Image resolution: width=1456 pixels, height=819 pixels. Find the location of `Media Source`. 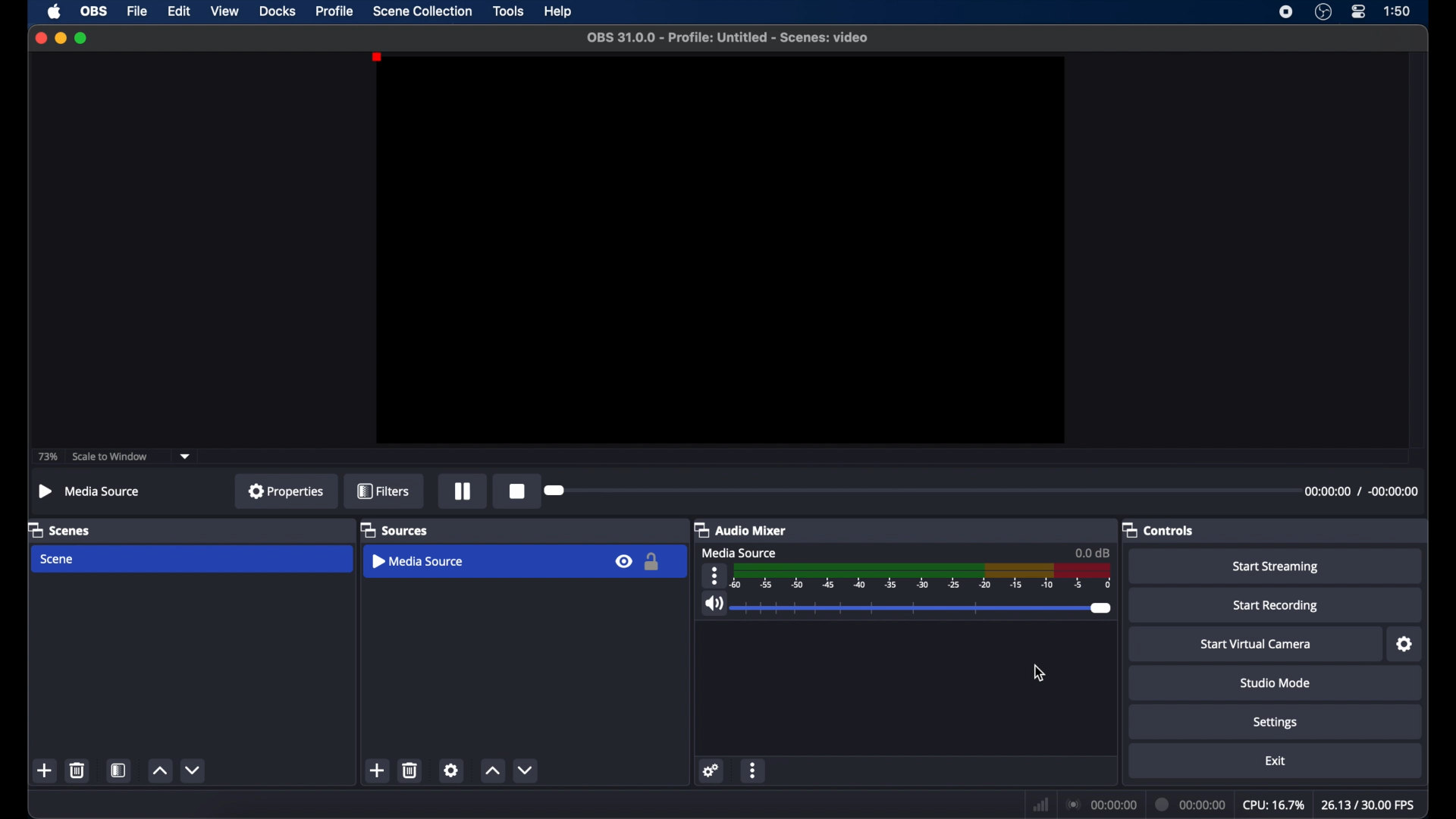

Media Source is located at coordinates (93, 492).